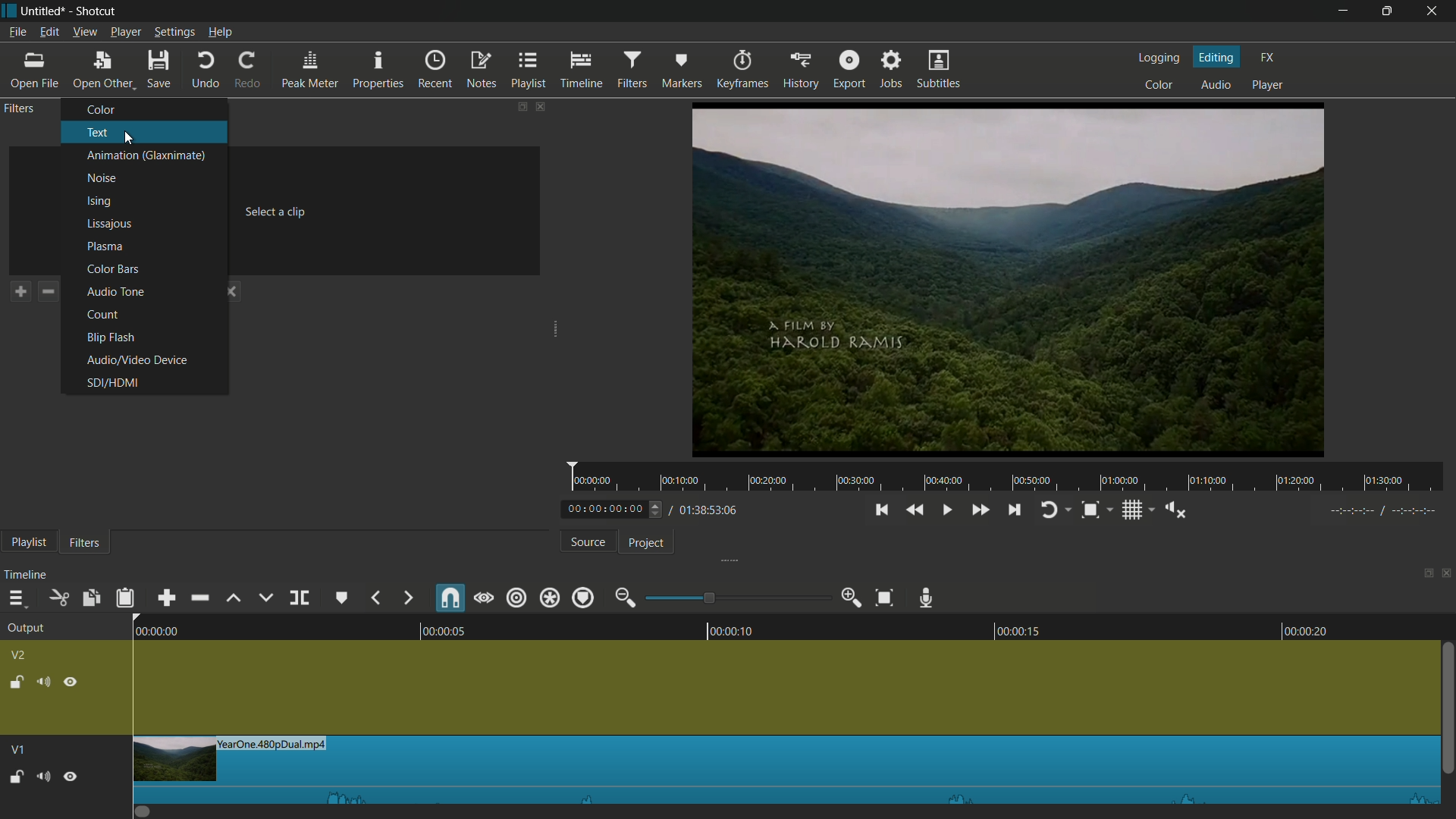  What do you see at coordinates (126, 32) in the screenshot?
I see `player menu` at bounding box center [126, 32].